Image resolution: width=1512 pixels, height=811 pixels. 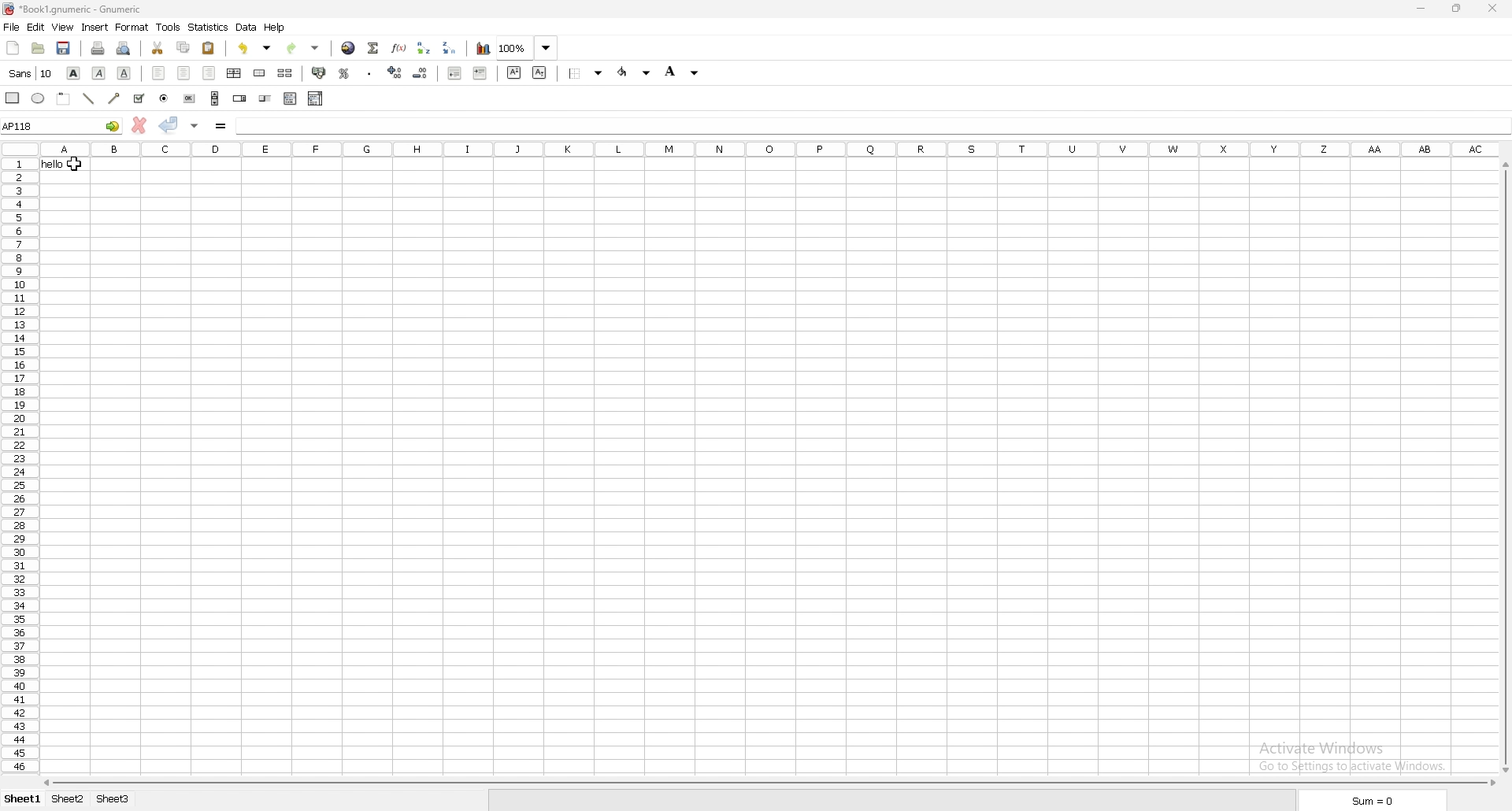 I want to click on checkbox, so click(x=139, y=98).